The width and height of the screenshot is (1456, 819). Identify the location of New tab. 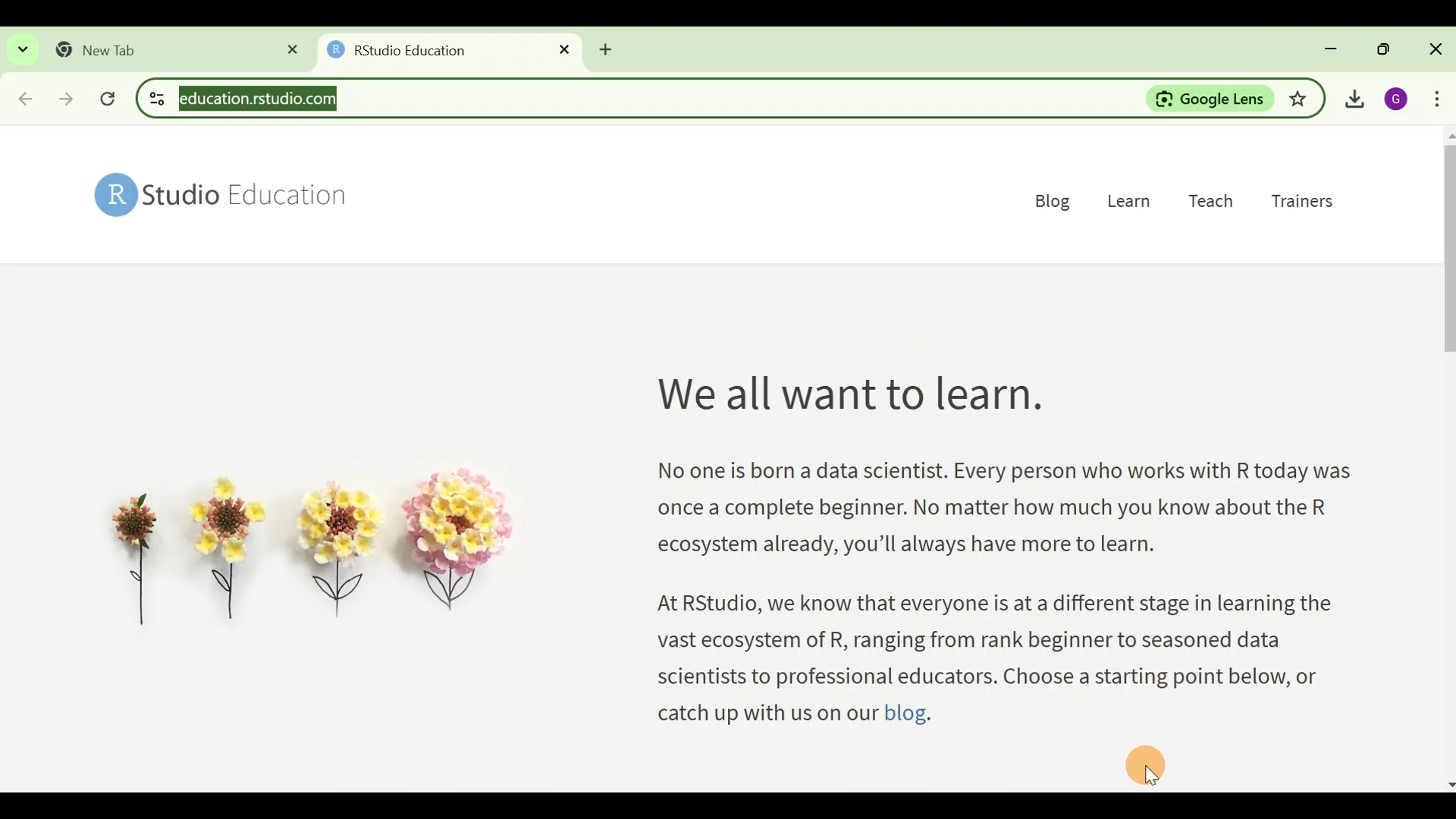
(613, 52).